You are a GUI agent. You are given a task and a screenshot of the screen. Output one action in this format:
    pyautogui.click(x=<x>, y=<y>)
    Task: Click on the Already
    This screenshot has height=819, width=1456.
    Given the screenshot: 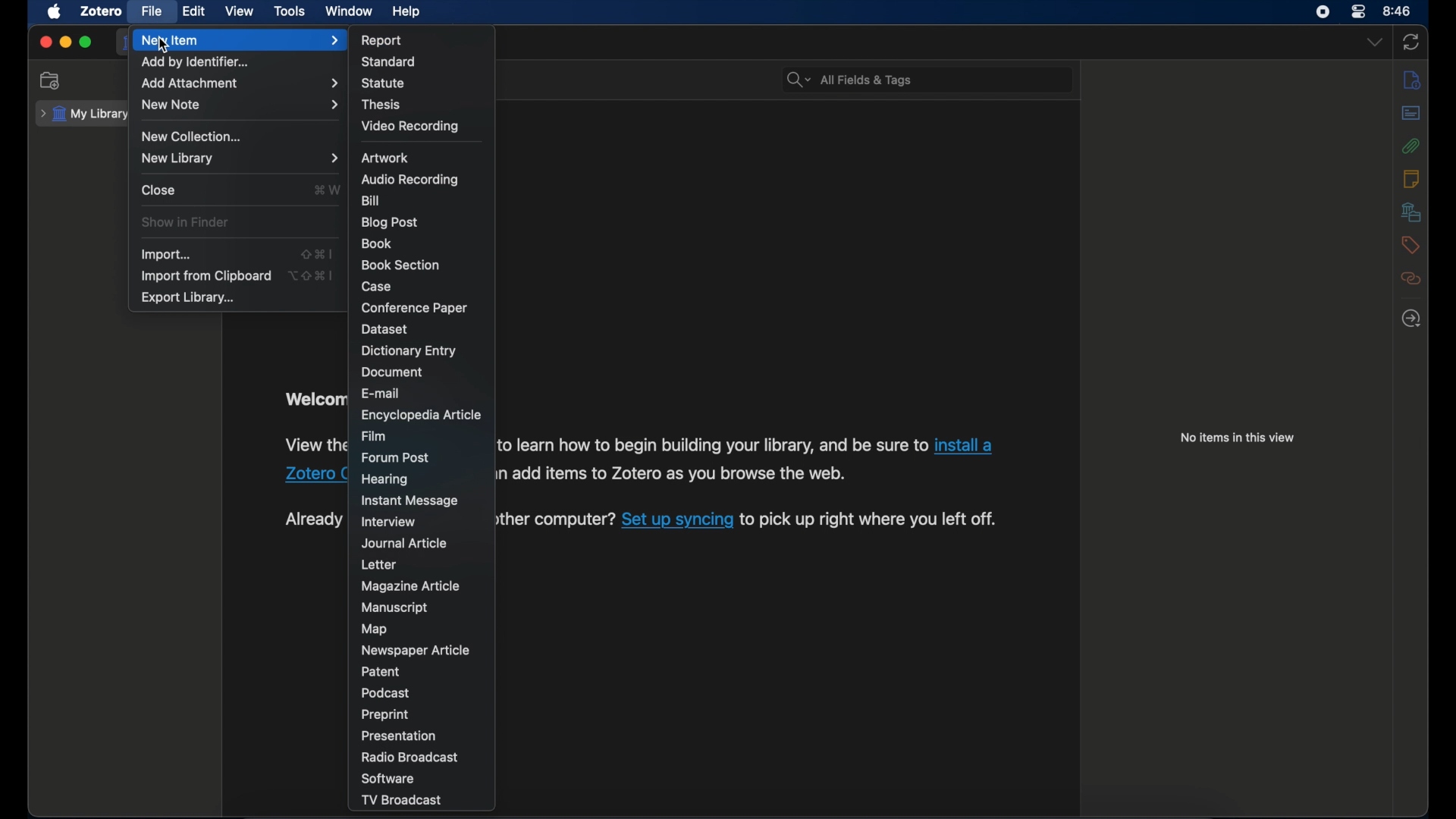 What is the action you would take?
    pyautogui.click(x=312, y=519)
    